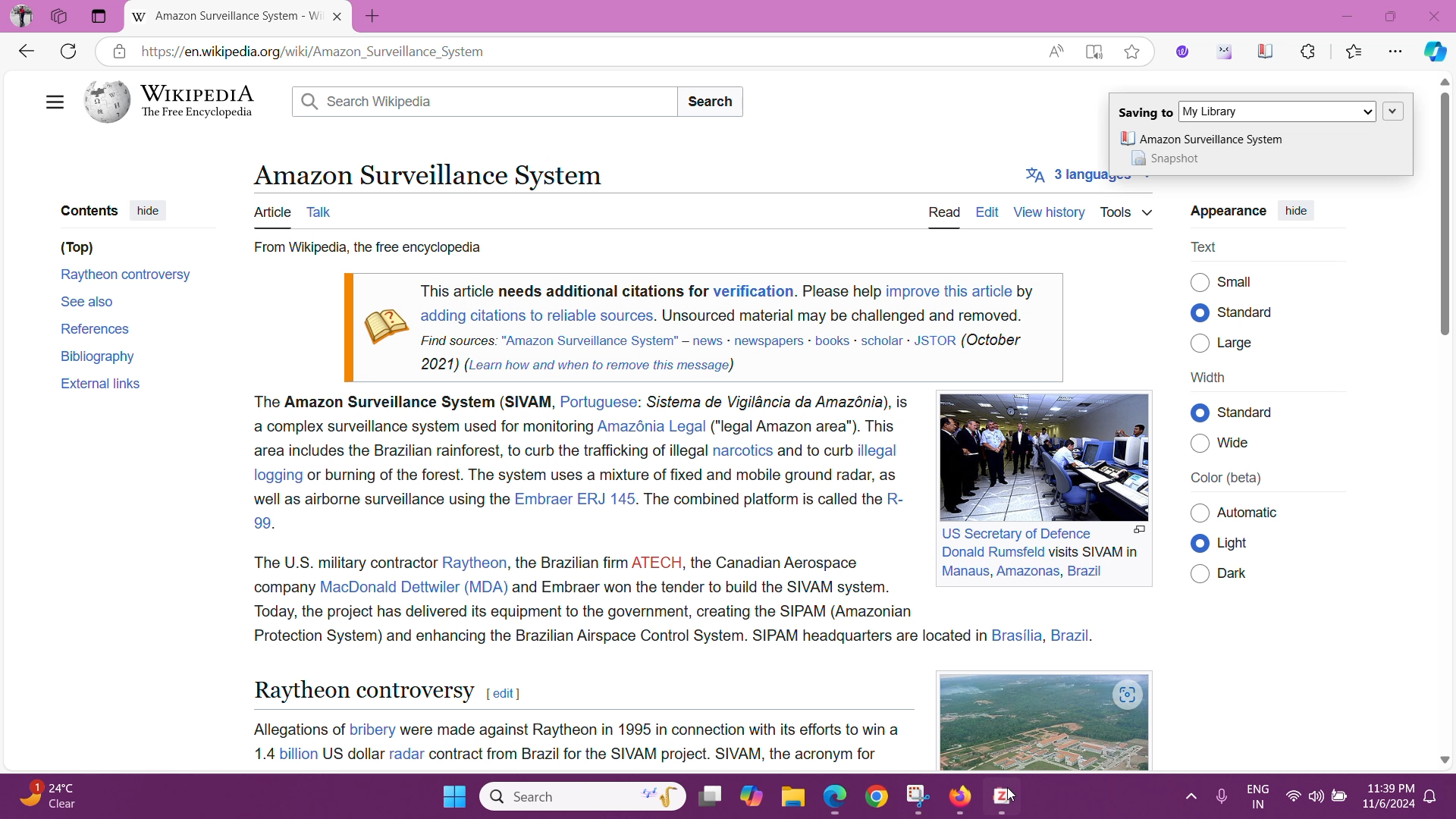  What do you see at coordinates (297, 754) in the screenshot?
I see `billion` at bounding box center [297, 754].